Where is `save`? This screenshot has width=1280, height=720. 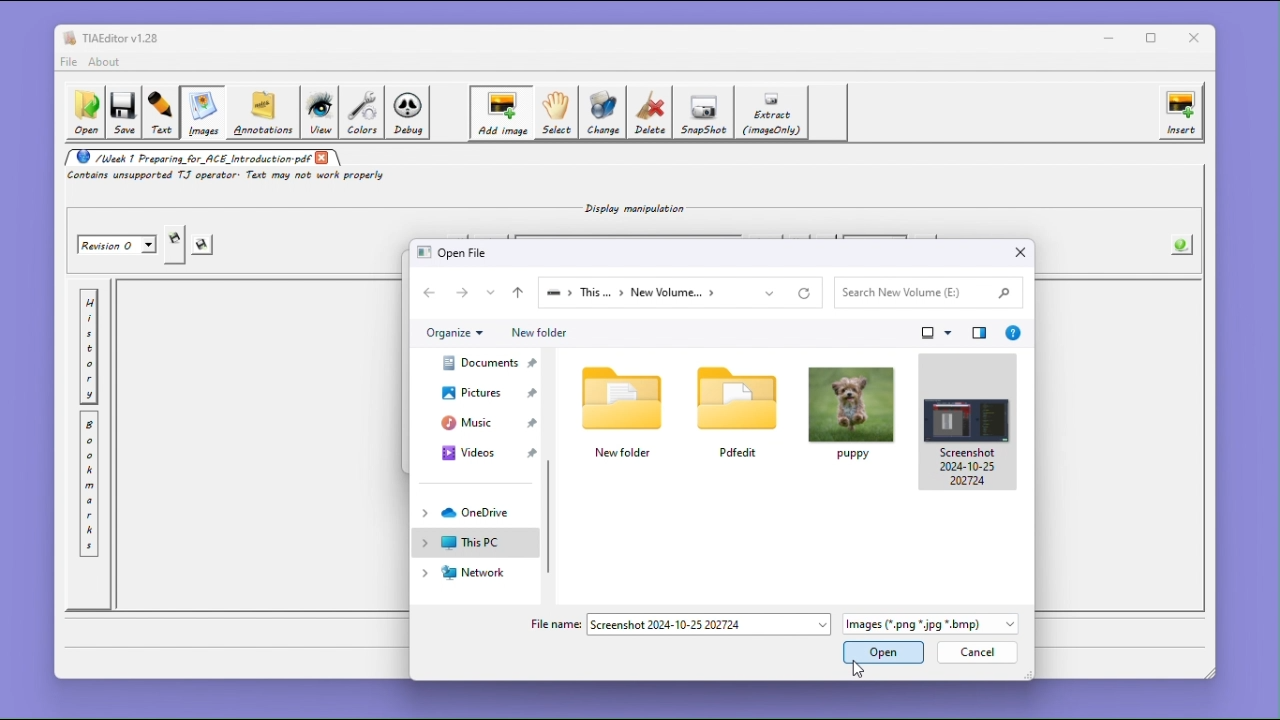 save is located at coordinates (123, 114).